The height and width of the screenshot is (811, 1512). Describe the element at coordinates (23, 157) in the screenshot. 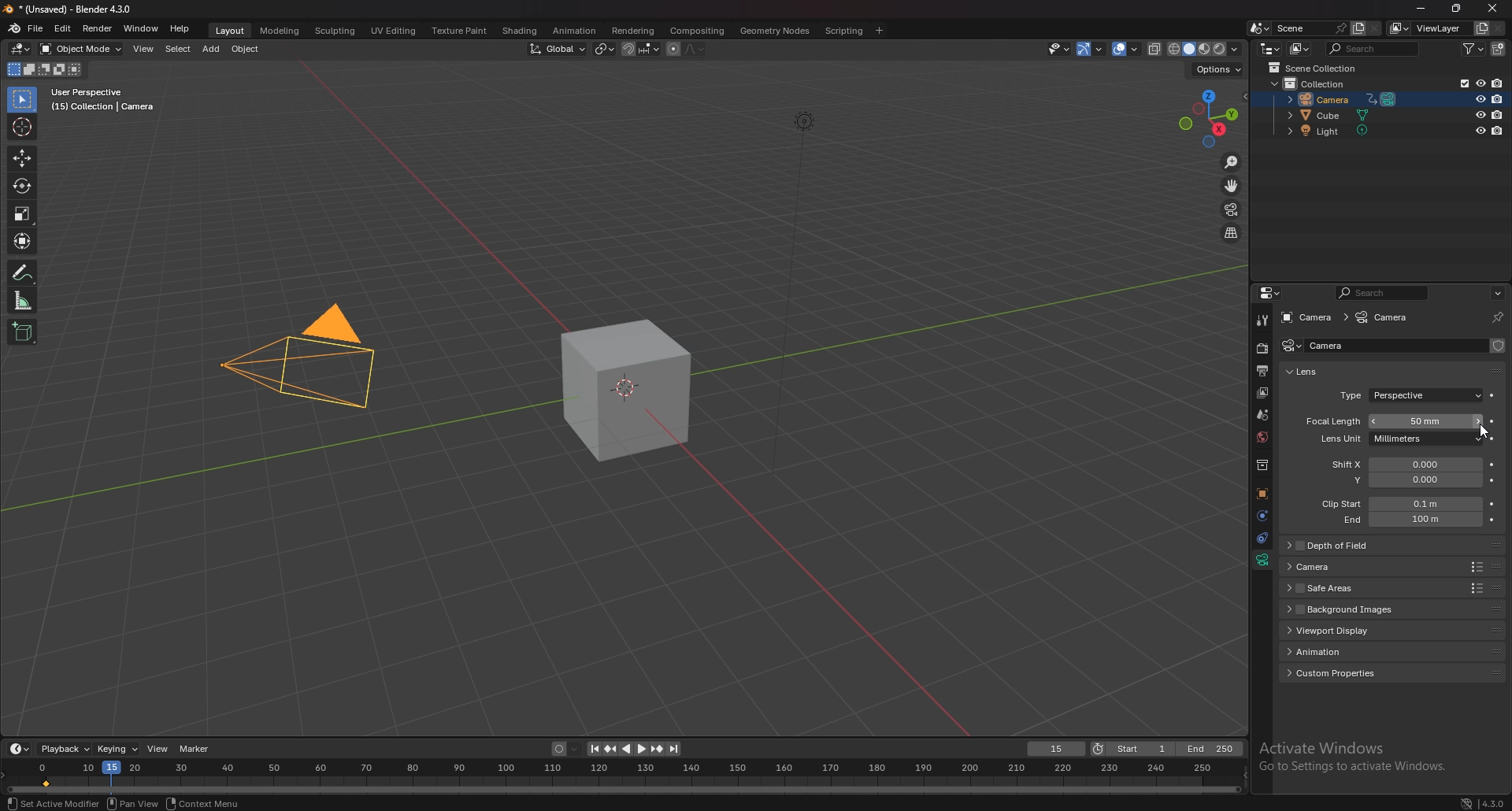

I see `move` at that location.